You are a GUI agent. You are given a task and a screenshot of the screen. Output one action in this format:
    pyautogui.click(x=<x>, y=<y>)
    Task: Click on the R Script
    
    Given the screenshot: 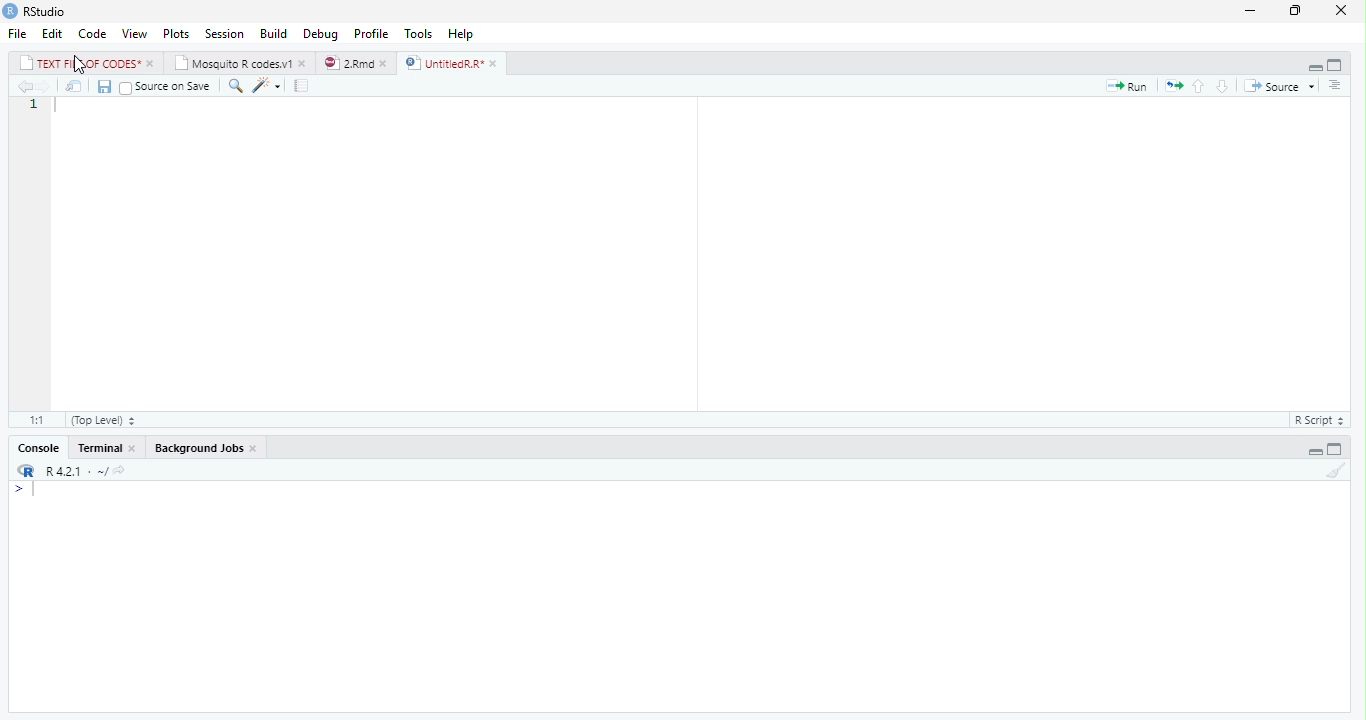 What is the action you would take?
    pyautogui.click(x=1318, y=419)
    